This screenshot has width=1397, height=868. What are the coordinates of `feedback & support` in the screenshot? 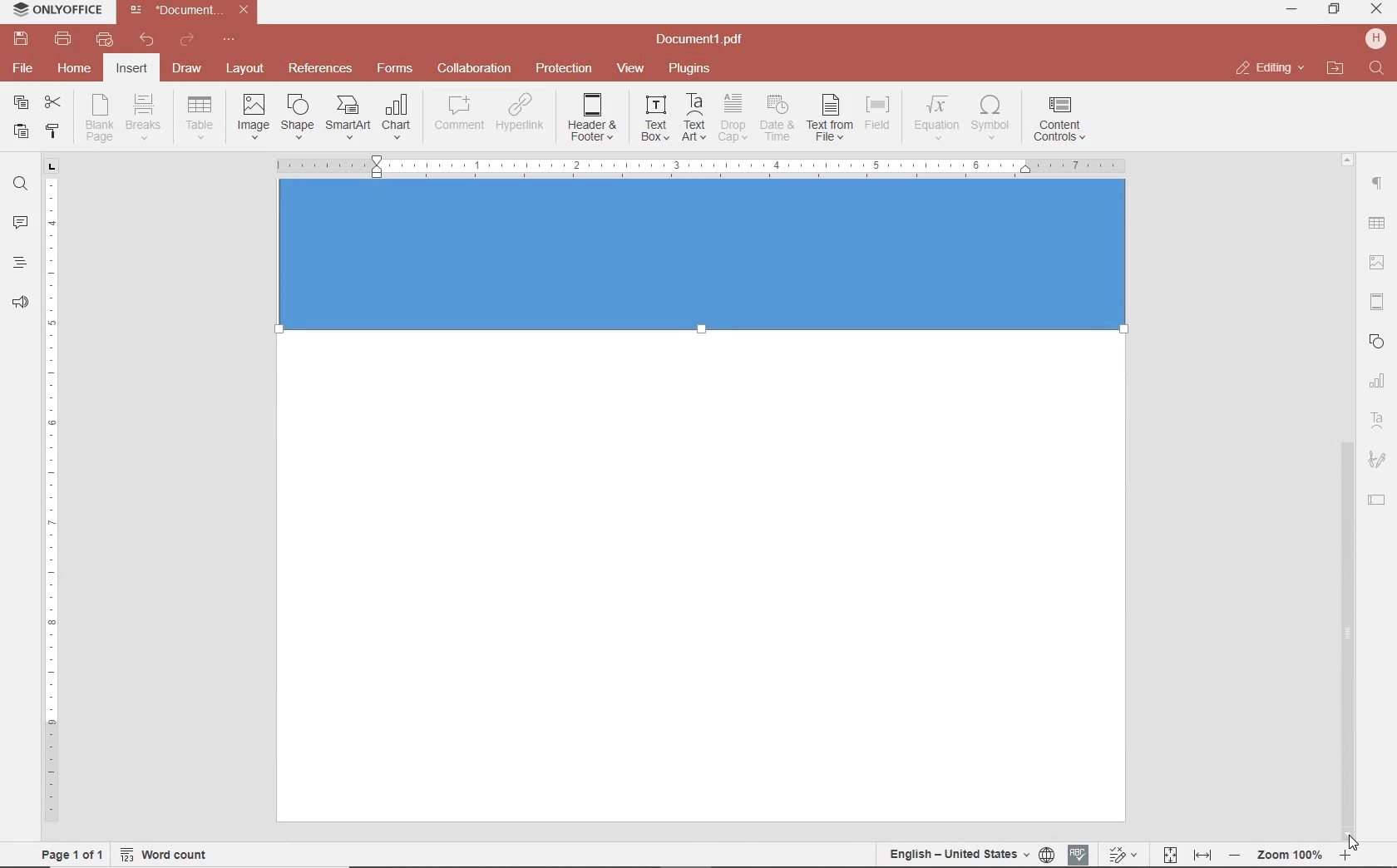 It's located at (21, 303).